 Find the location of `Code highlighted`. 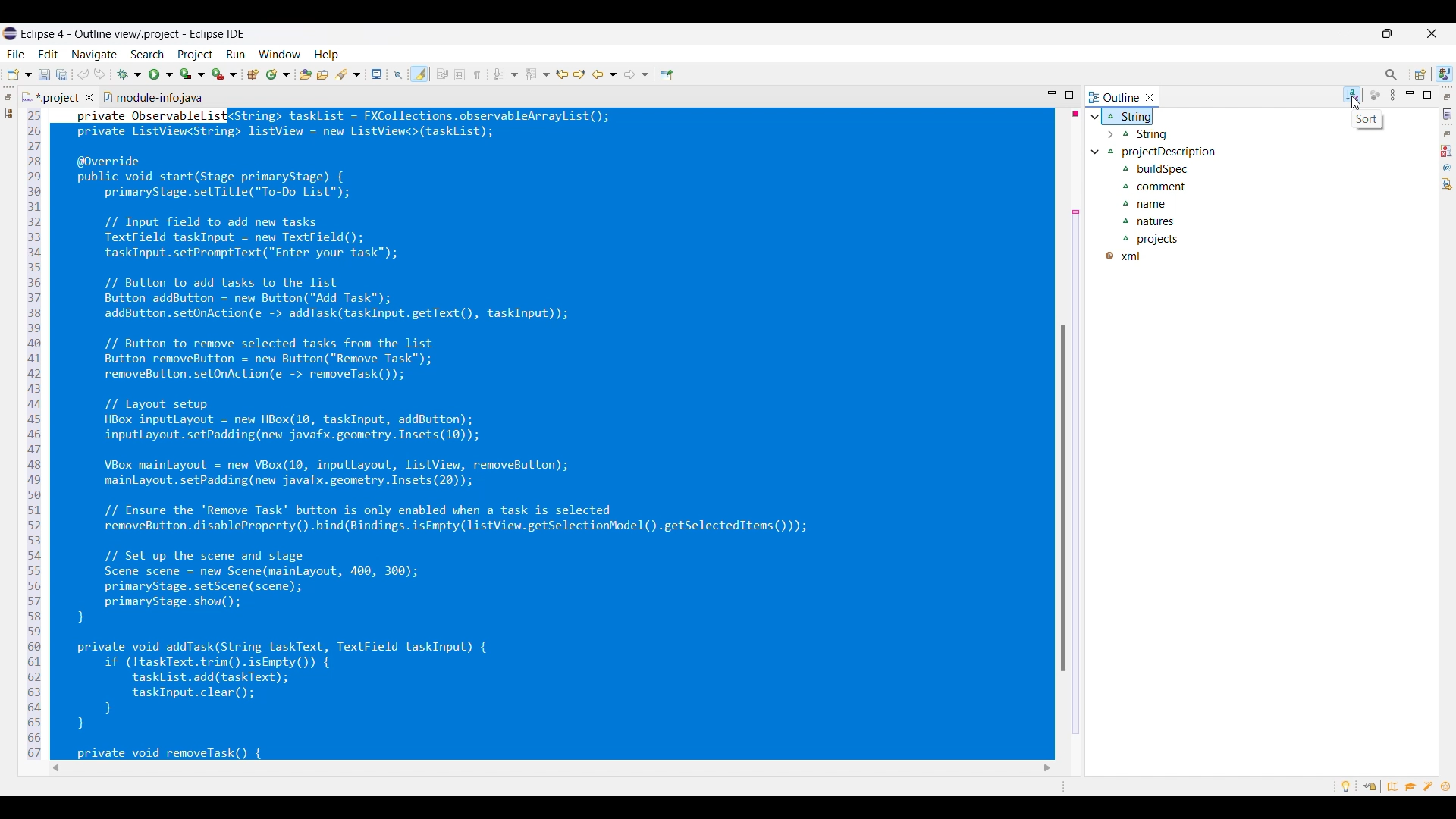

Code highlighted is located at coordinates (556, 434).